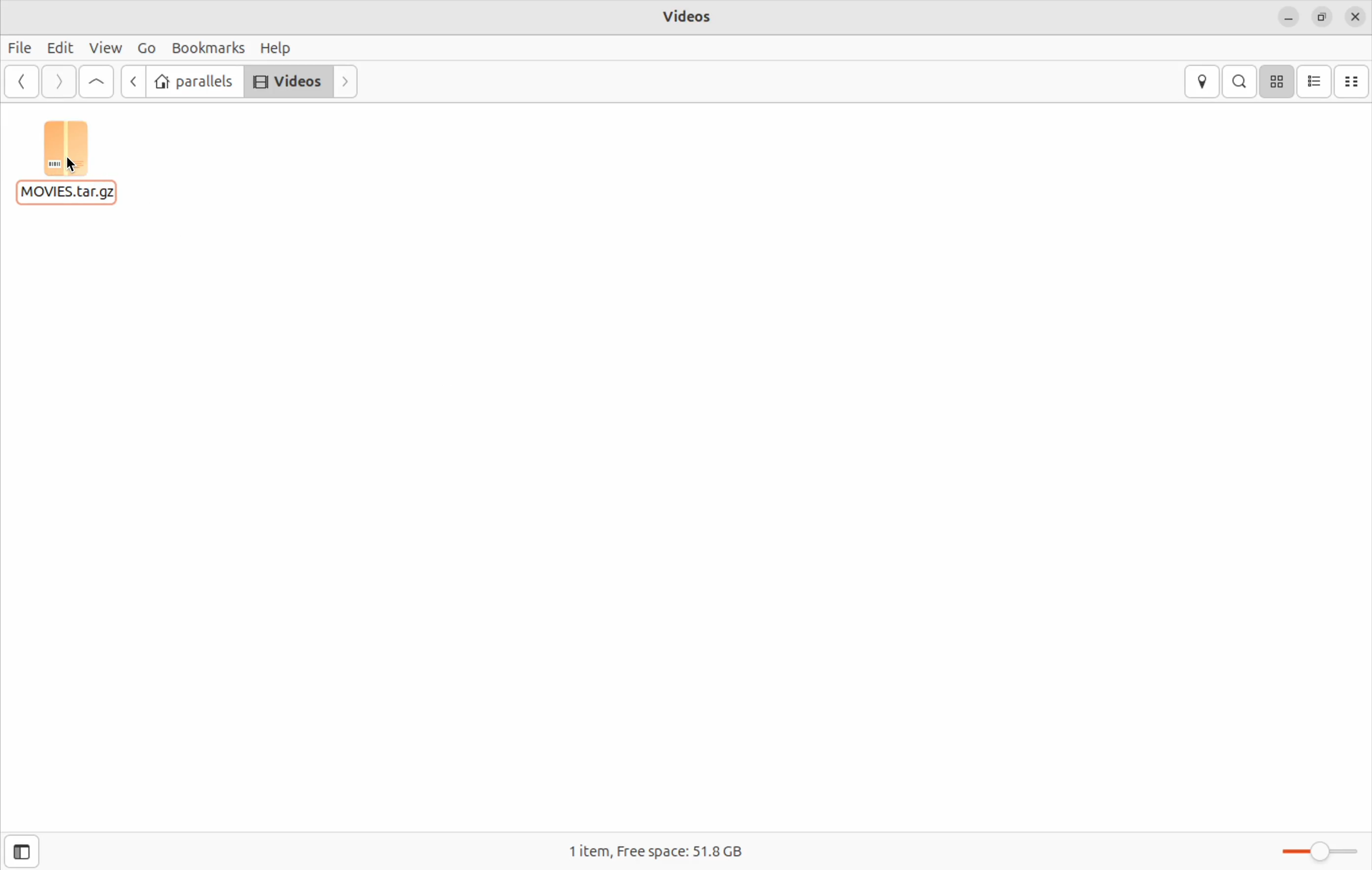  I want to click on toggle zoom bar, so click(1310, 849).